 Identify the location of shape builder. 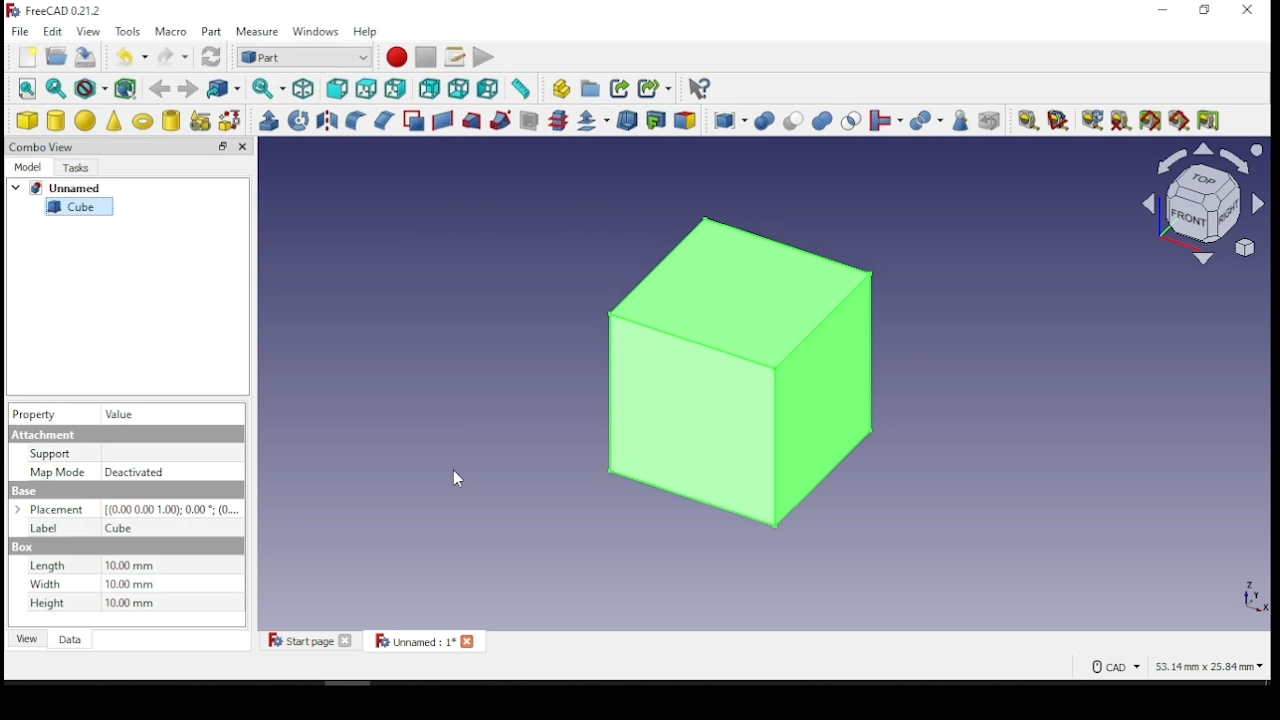
(231, 120).